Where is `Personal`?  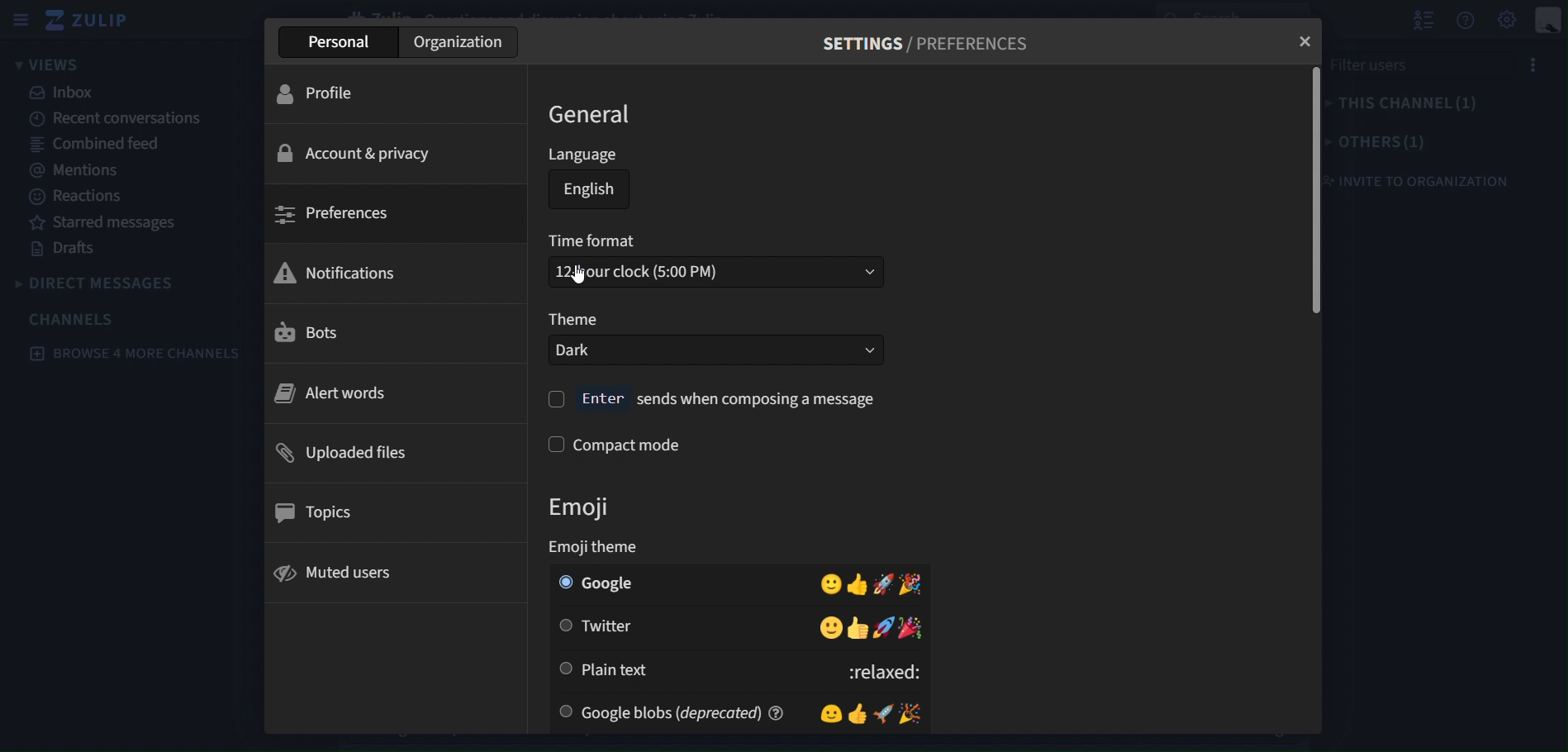 Personal is located at coordinates (334, 43).